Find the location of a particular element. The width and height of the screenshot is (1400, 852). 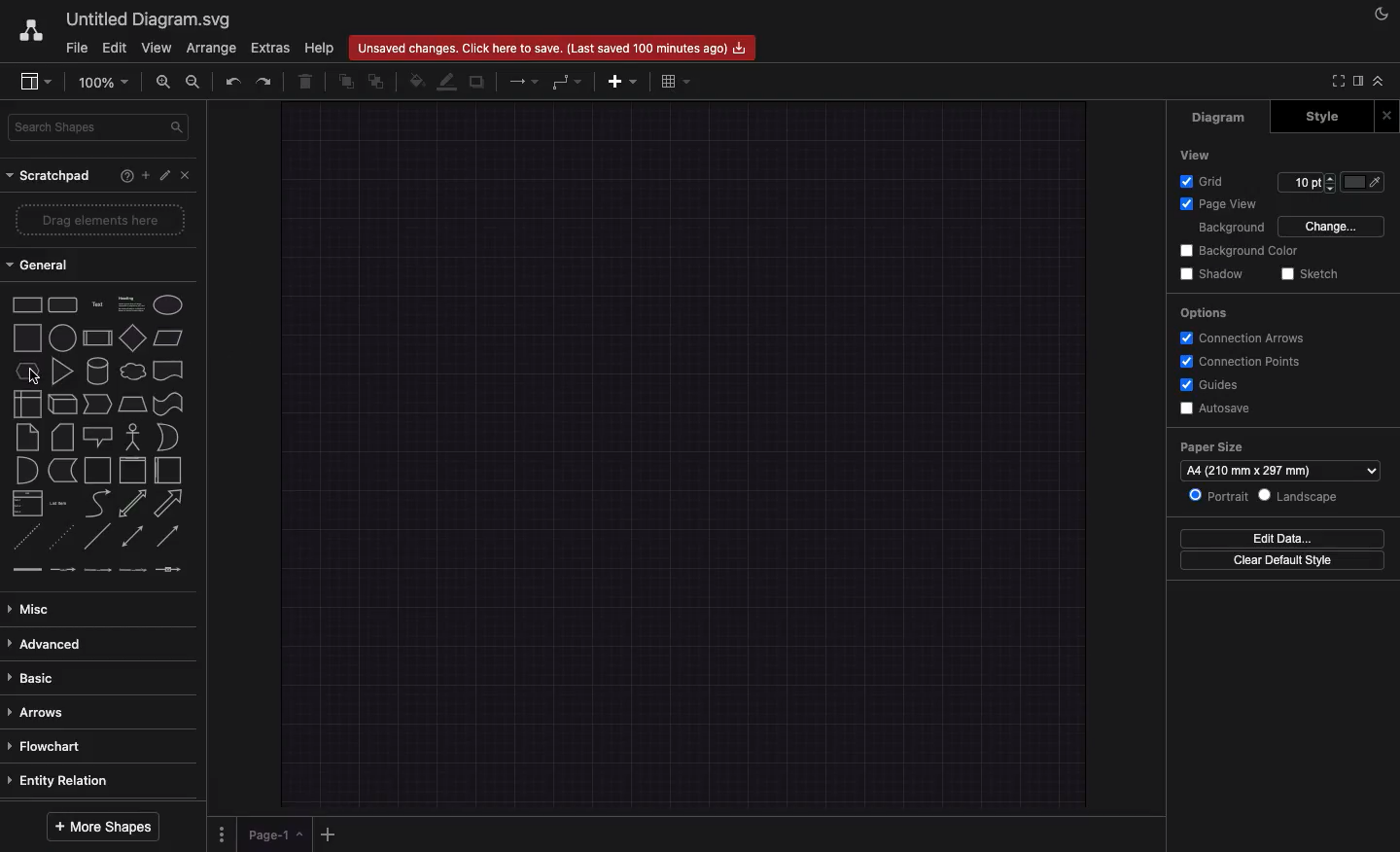

Waypoints is located at coordinates (569, 82).